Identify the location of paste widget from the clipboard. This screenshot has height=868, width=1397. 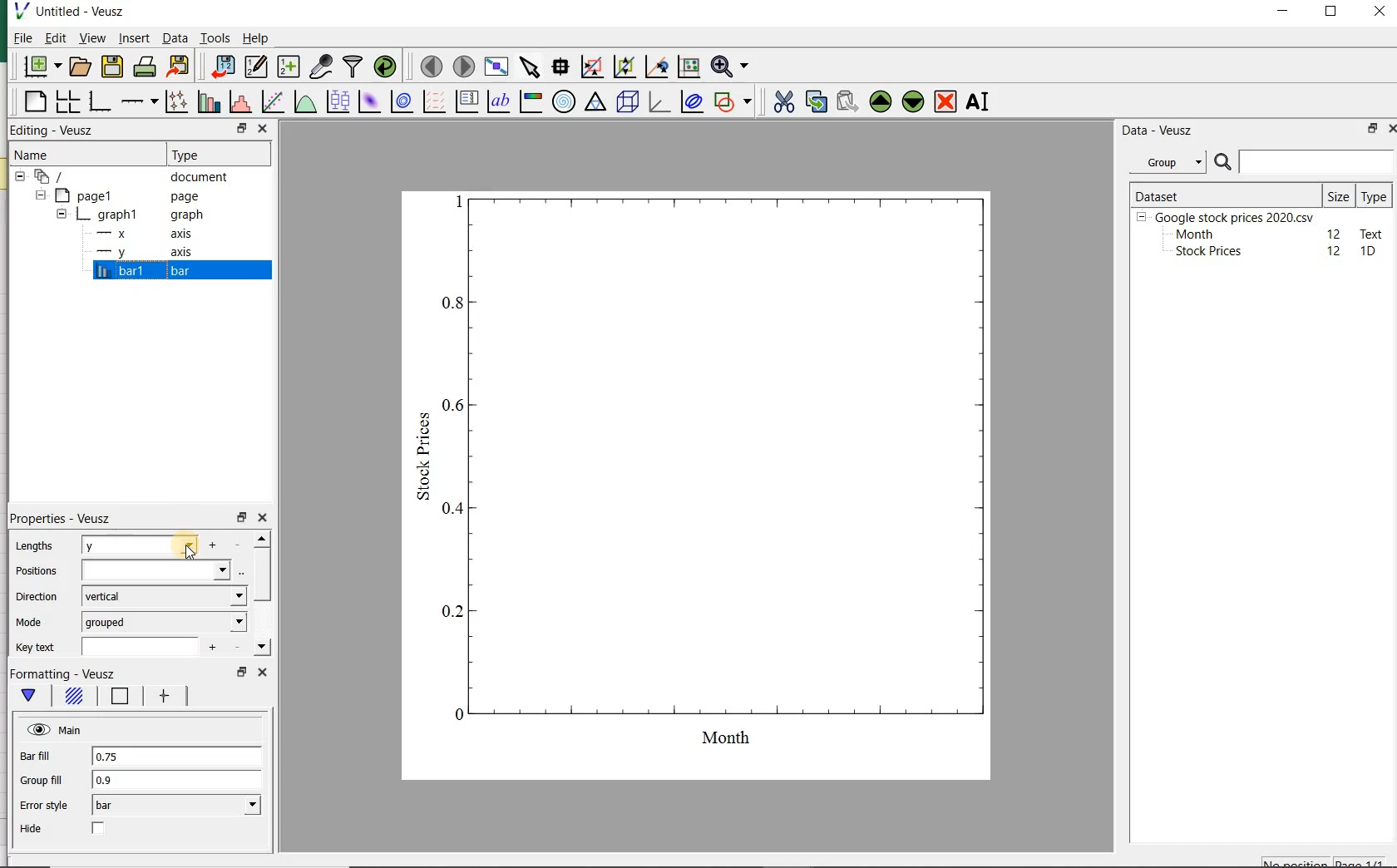
(847, 102).